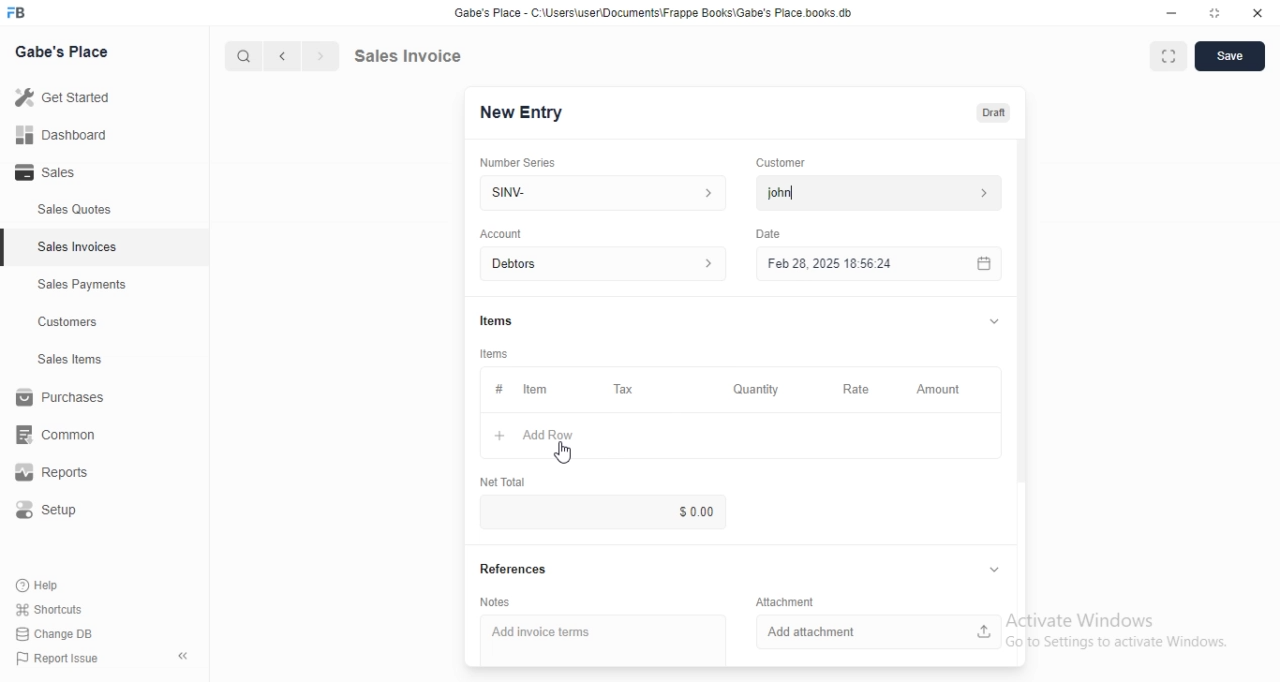  I want to click on scroll bar, so click(1021, 321).